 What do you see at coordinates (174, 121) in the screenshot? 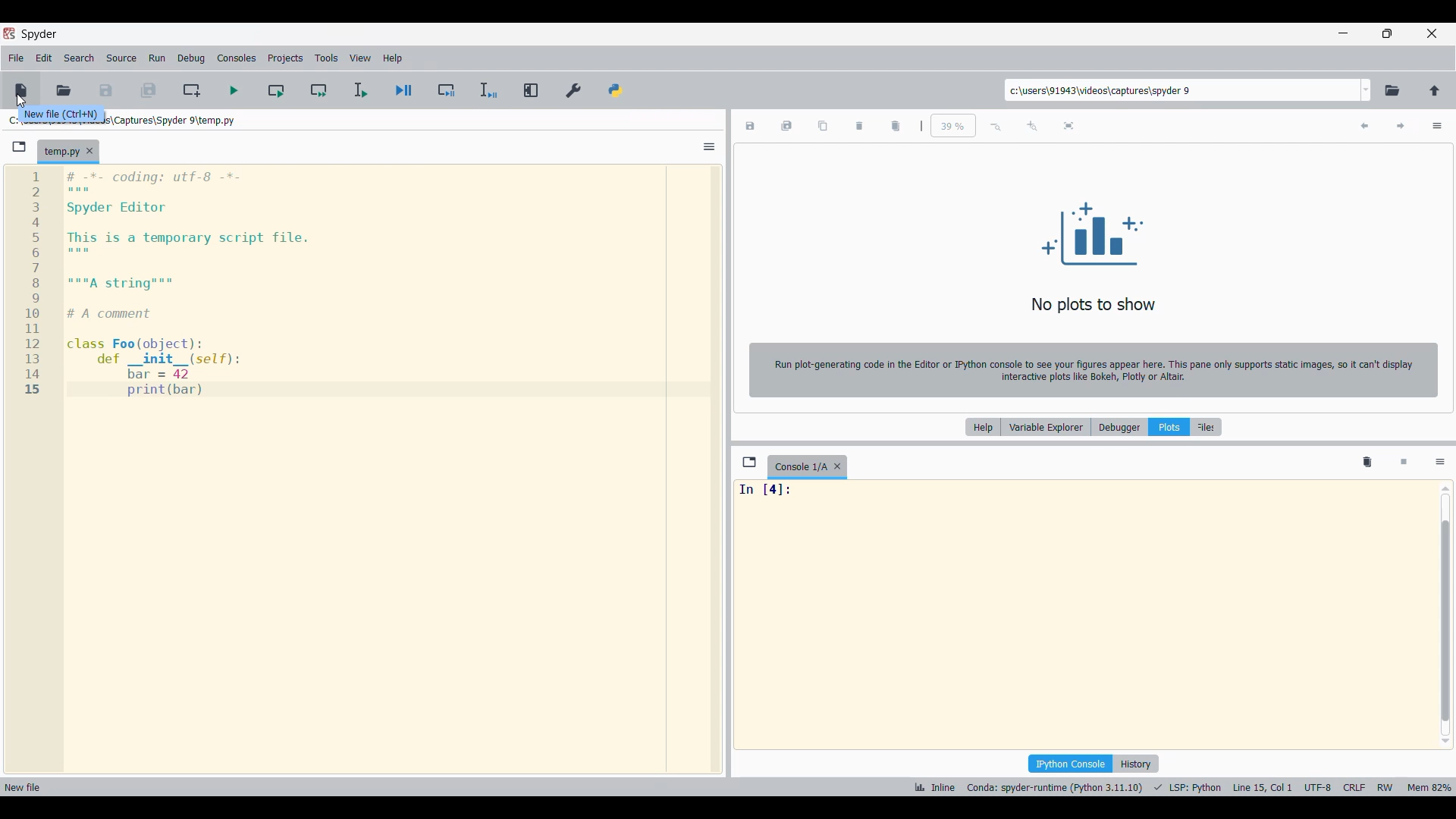
I see `File location` at bounding box center [174, 121].